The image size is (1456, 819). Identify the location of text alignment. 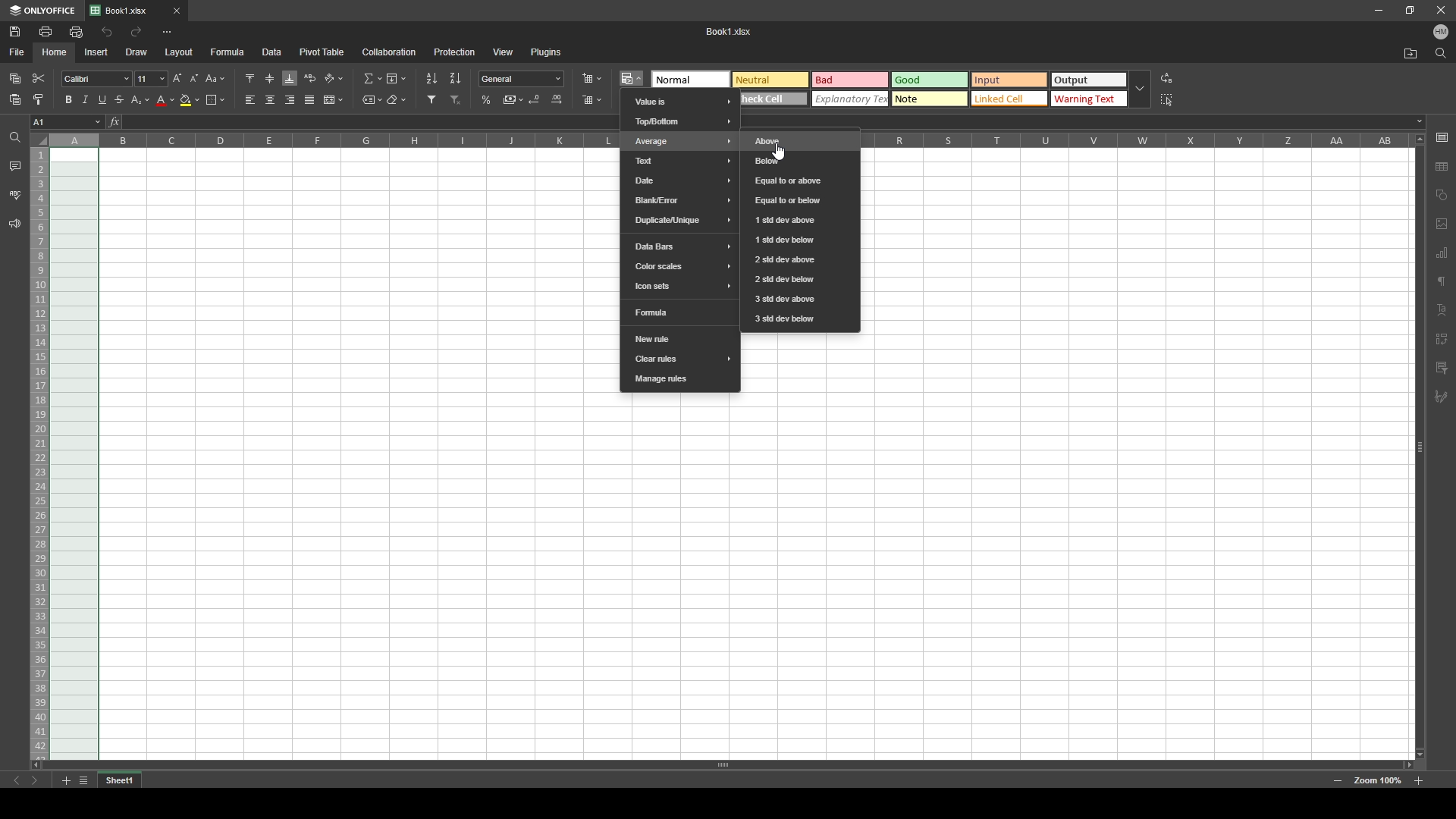
(1442, 310).